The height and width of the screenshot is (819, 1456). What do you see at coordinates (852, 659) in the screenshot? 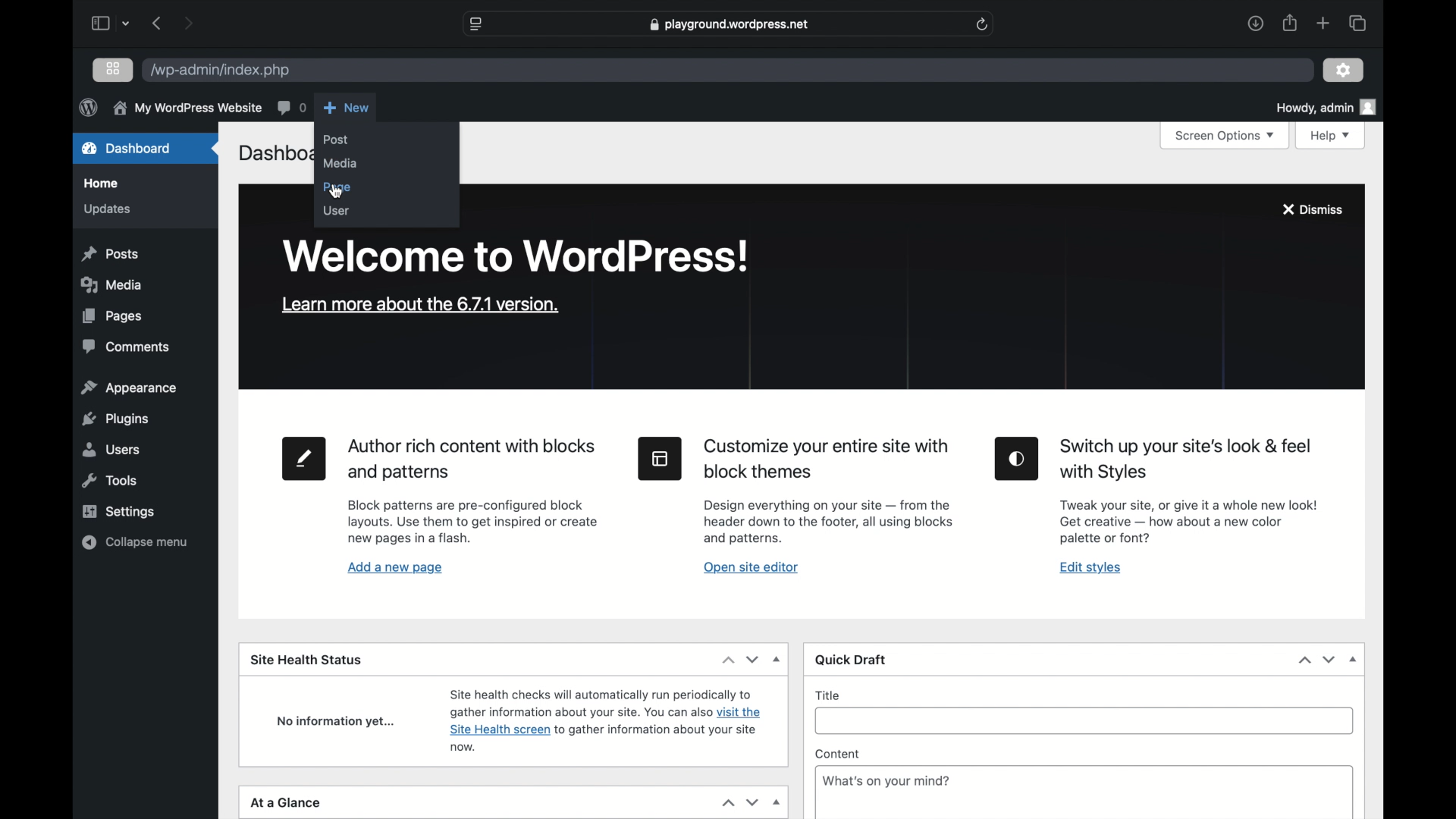
I see `quick draft` at bounding box center [852, 659].